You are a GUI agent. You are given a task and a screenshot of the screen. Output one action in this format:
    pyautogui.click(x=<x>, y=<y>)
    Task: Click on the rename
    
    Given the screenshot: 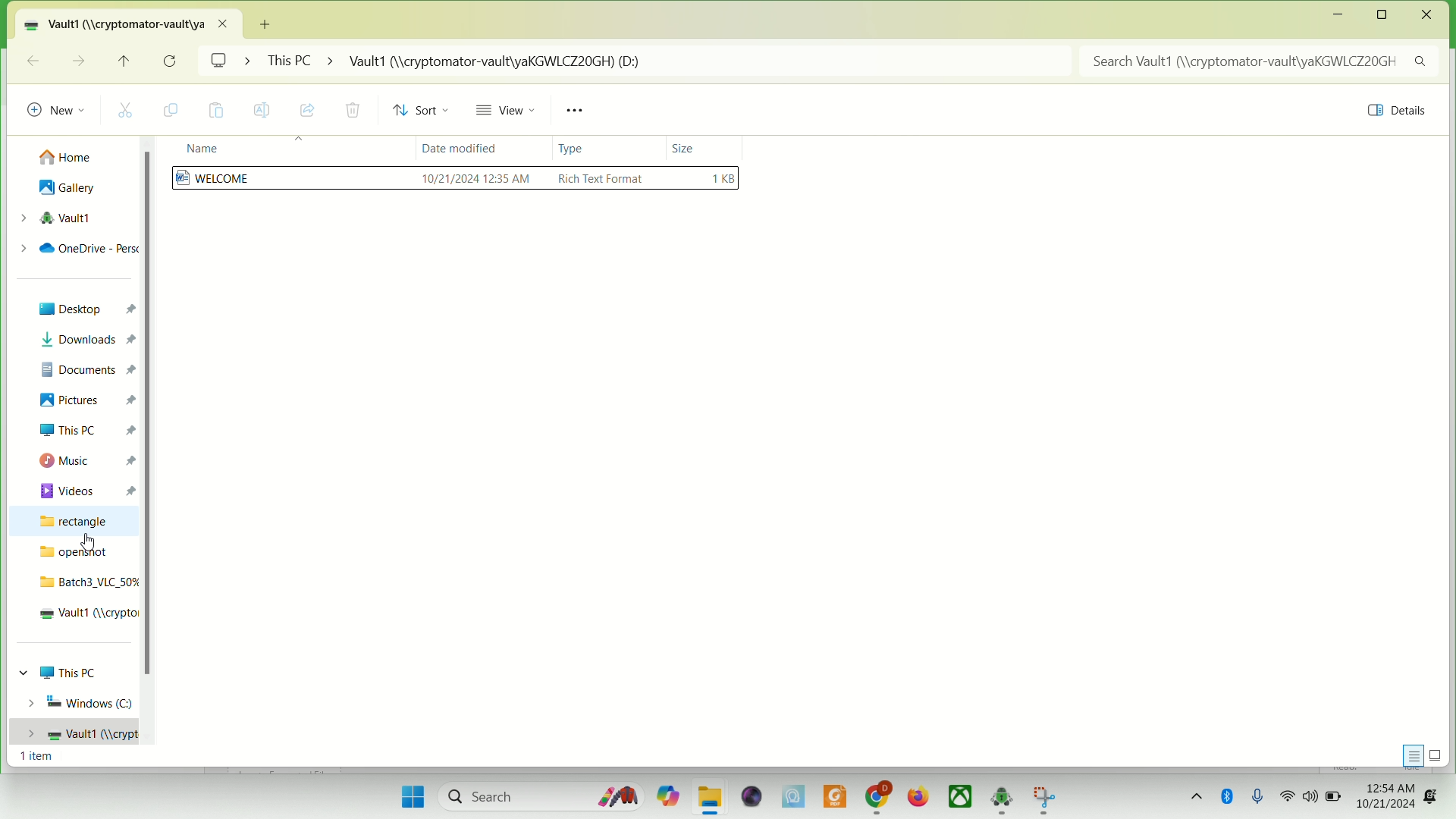 What is the action you would take?
    pyautogui.click(x=263, y=110)
    